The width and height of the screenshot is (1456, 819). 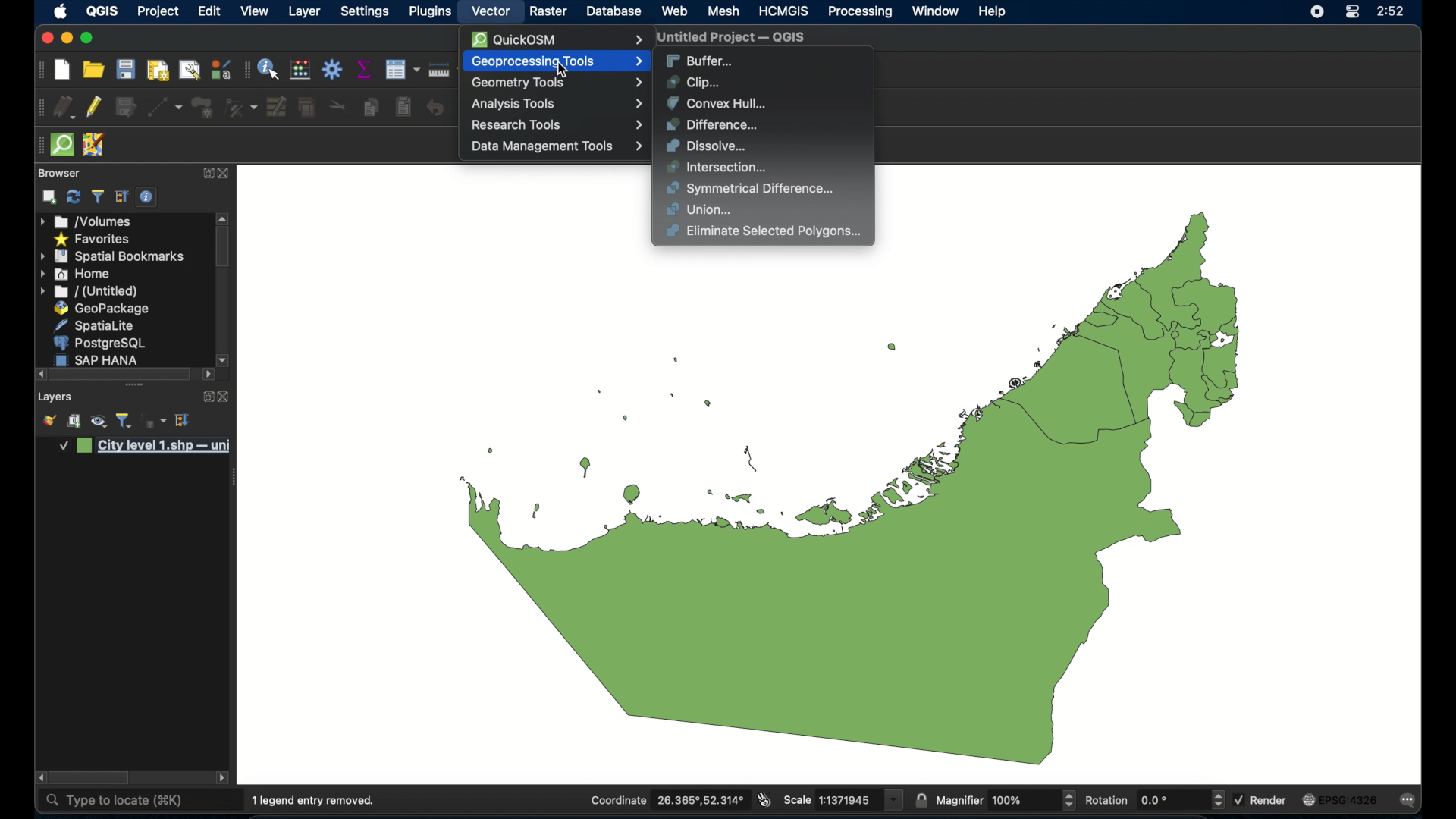 What do you see at coordinates (239, 107) in the screenshot?
I see `vertes tool` at bounding box center [239, 107].